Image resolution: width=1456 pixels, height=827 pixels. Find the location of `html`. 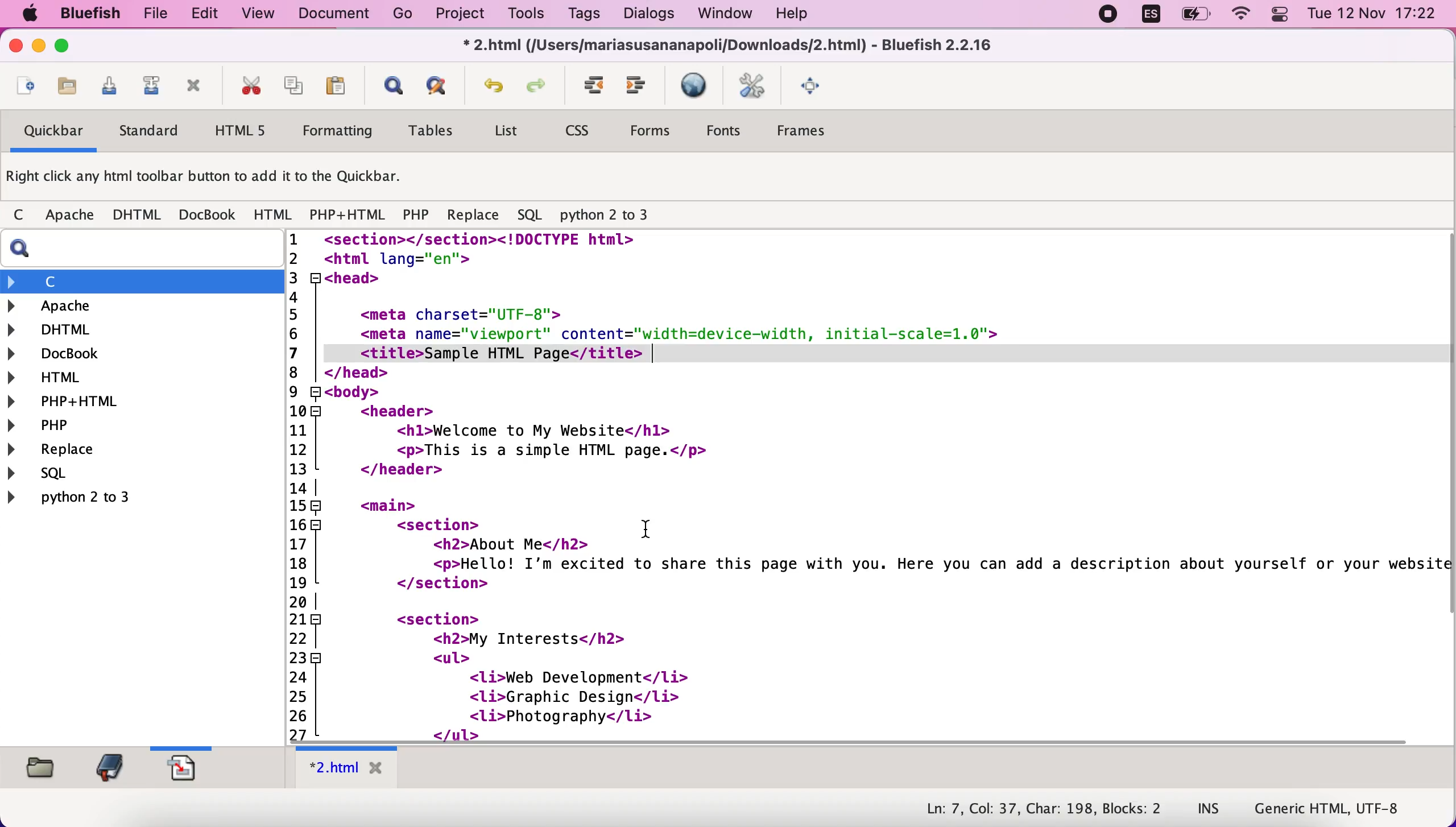

html is located at coordinates (138, 377).